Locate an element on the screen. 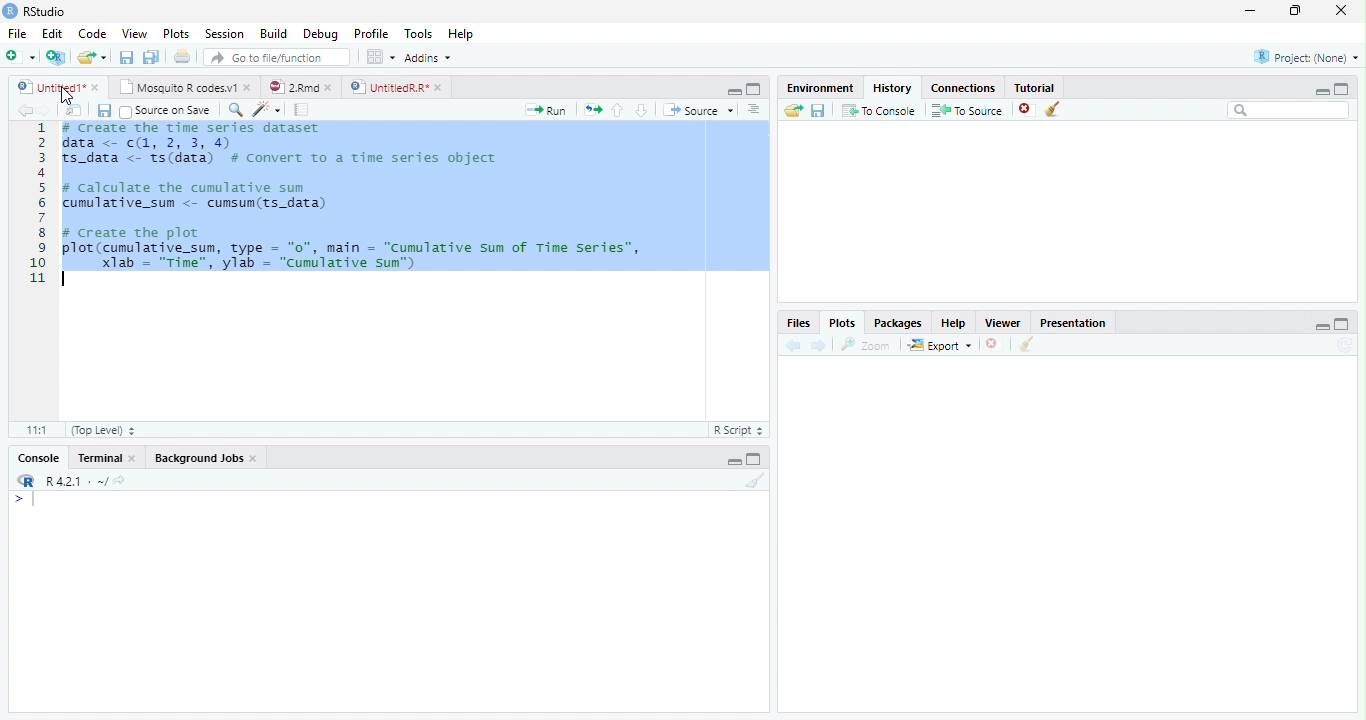 The image size is (1366, 720). R 4.0.1 is located at coordinates (78, 479).